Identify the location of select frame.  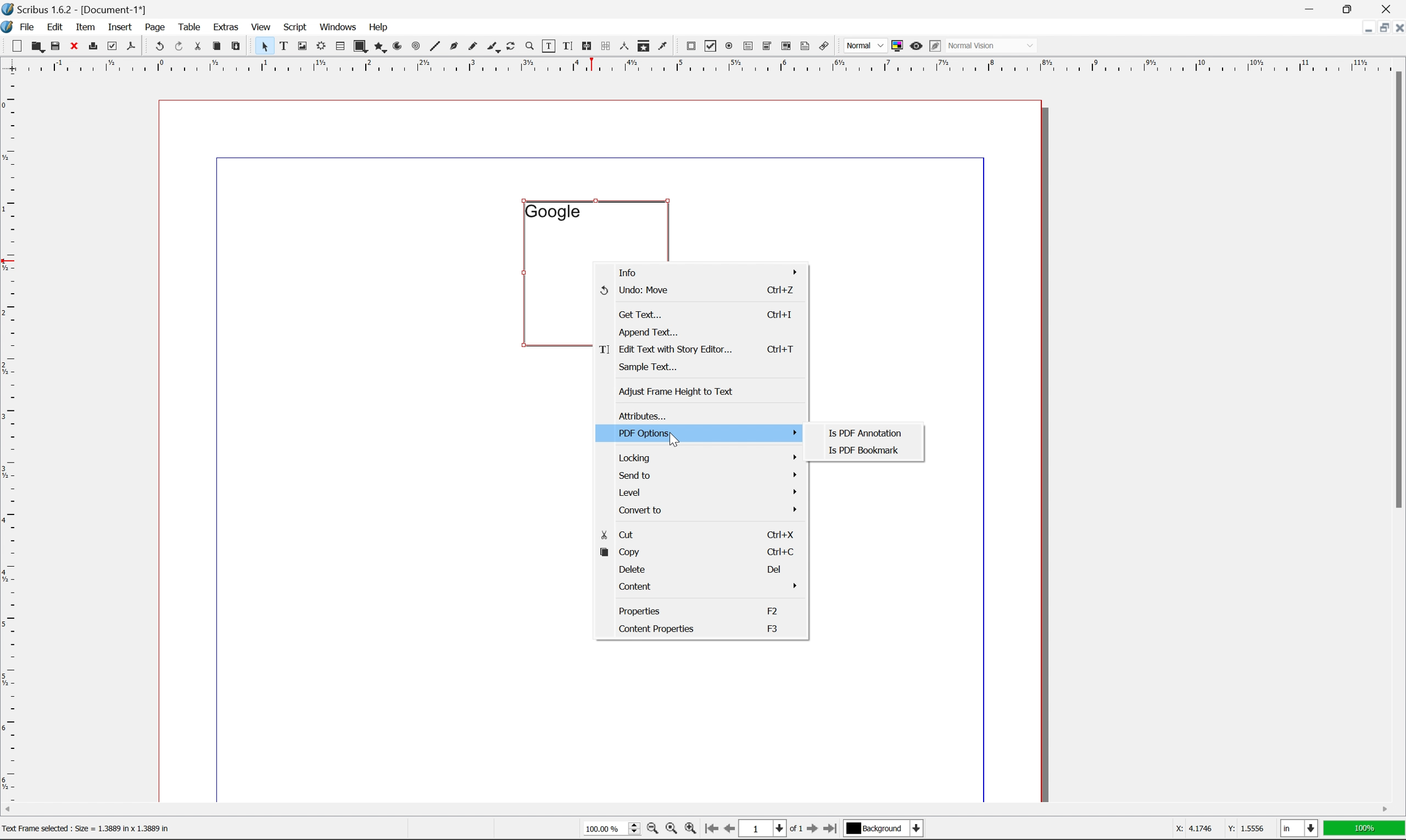
(264, 48).